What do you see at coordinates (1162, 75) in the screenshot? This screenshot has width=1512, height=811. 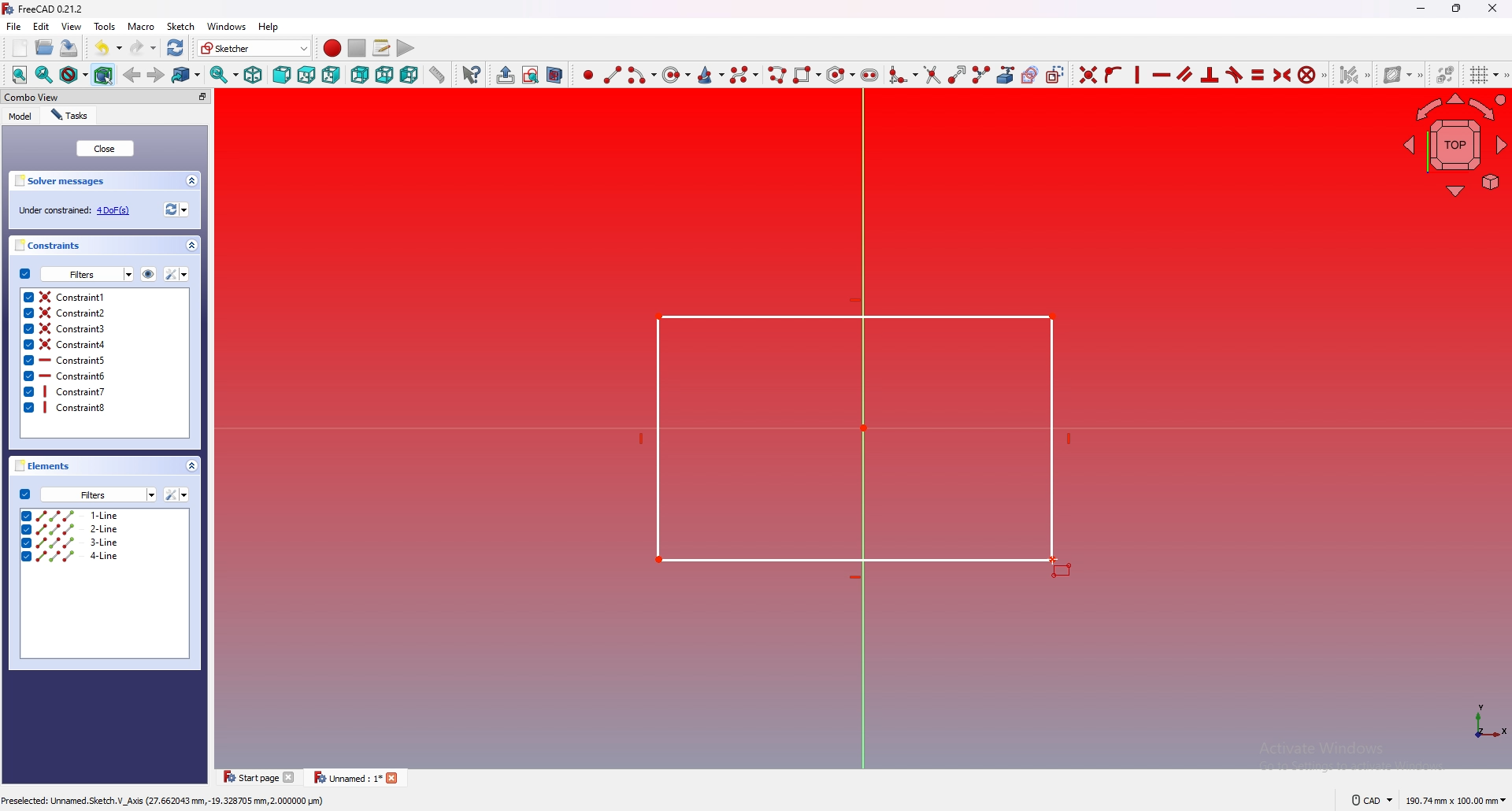 I see `constraint vertically` at bounding box center [1162, 75].